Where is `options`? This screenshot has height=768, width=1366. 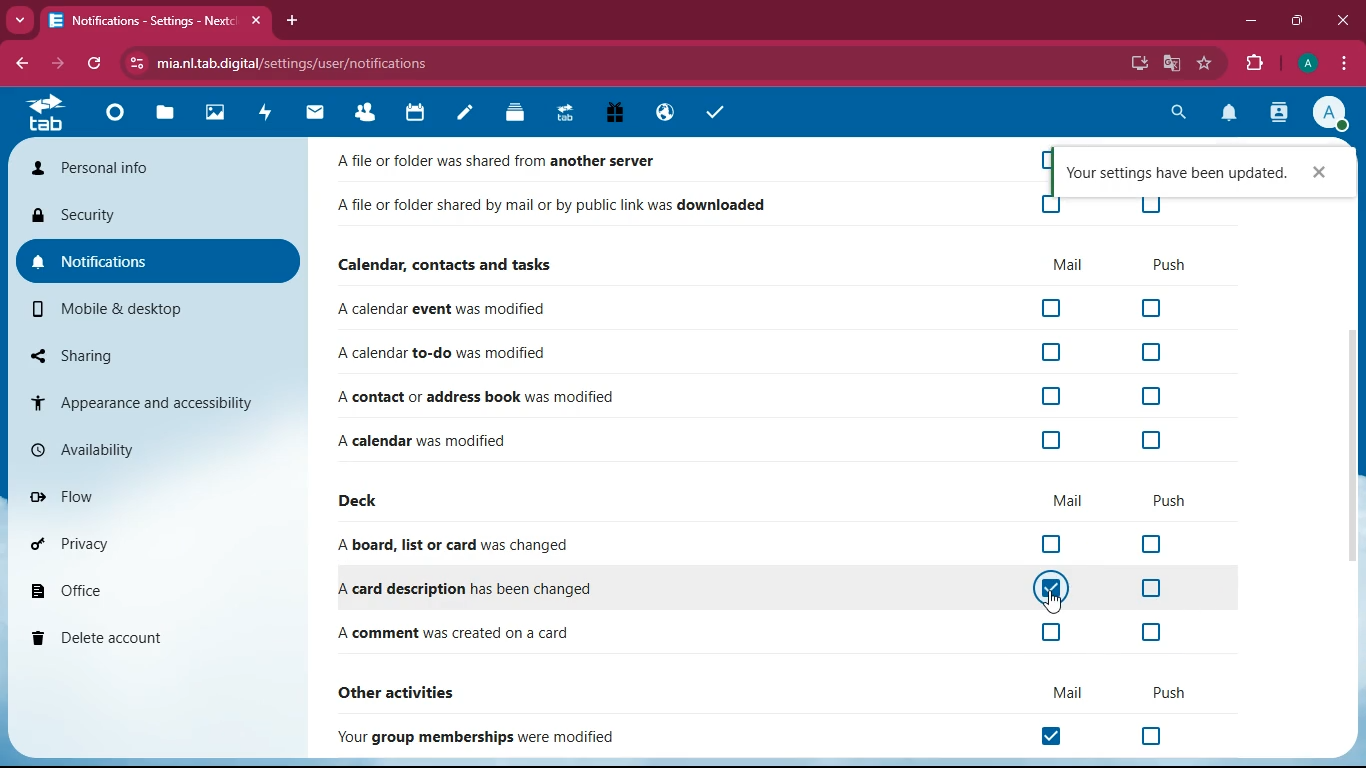
options is located at coordinates (1344, 63).